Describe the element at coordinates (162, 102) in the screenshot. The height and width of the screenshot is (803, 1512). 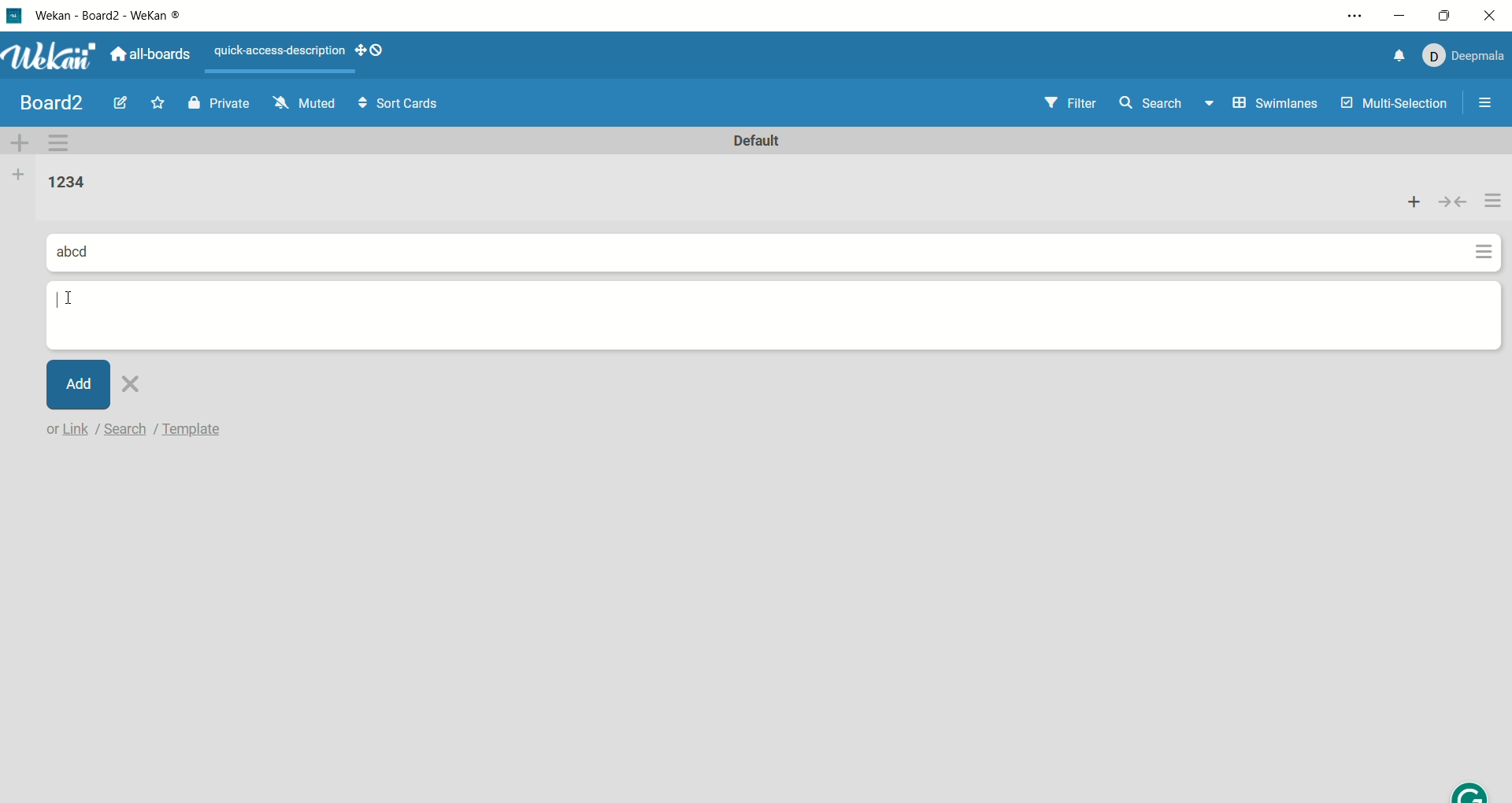
I see `favorite` at that location.